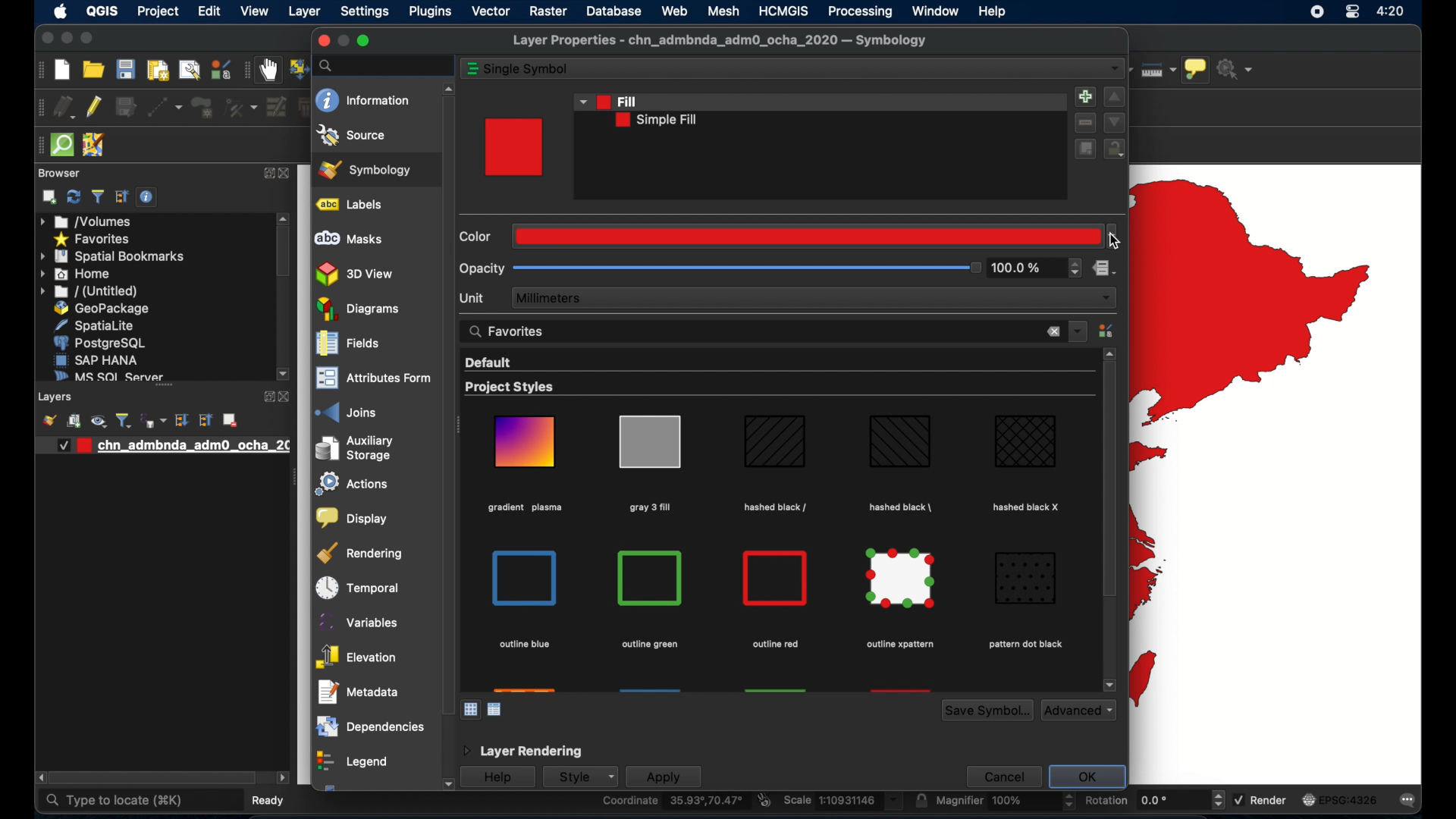 The image size is (1456, 819). What do you see at coordinates (1238, 68) in the screenshot?
I see `no action selected` at bounding box center [1238, 68].